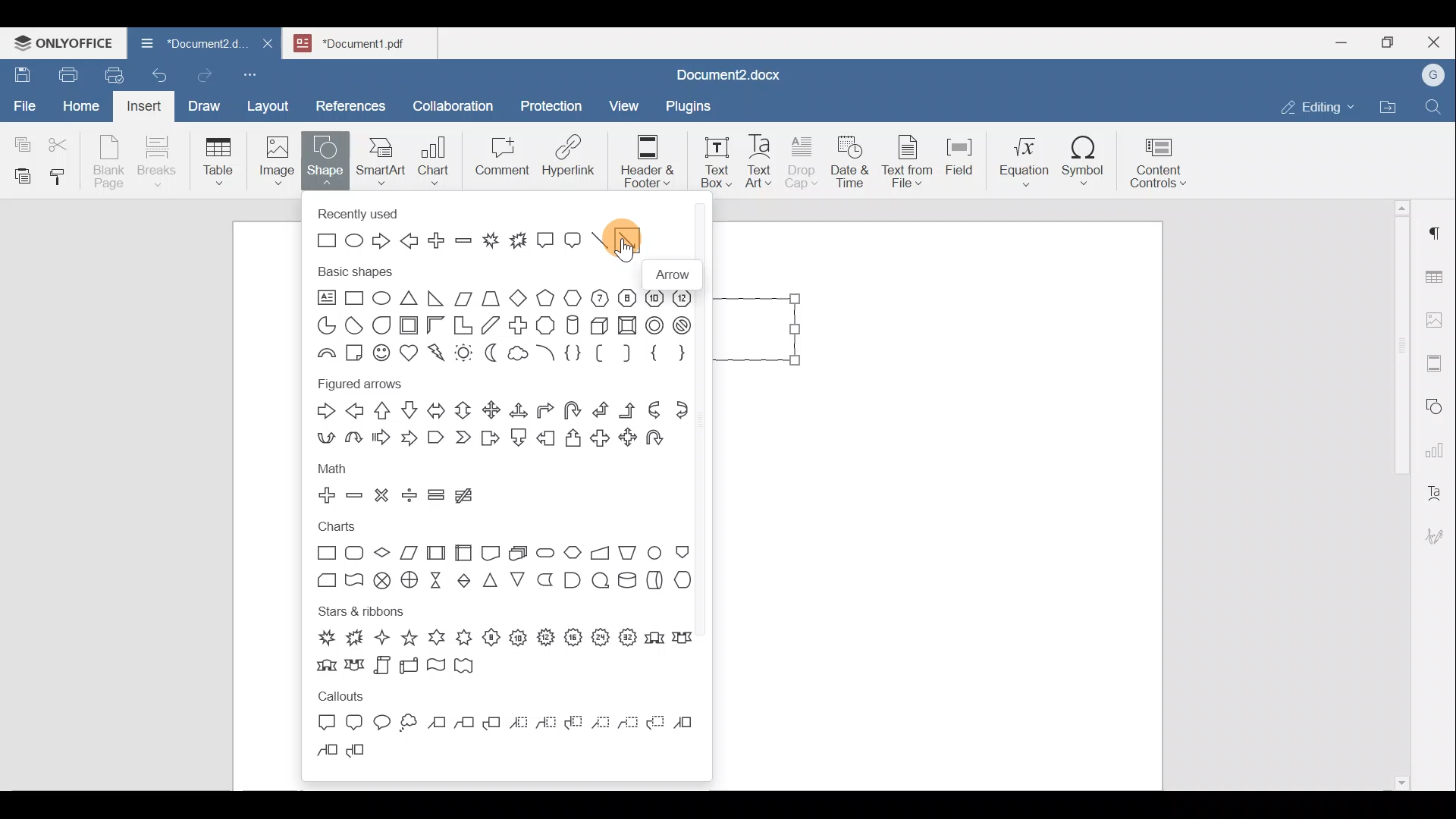 The image size is (1456, 819). I want to click on Print file, so click(65, 72).